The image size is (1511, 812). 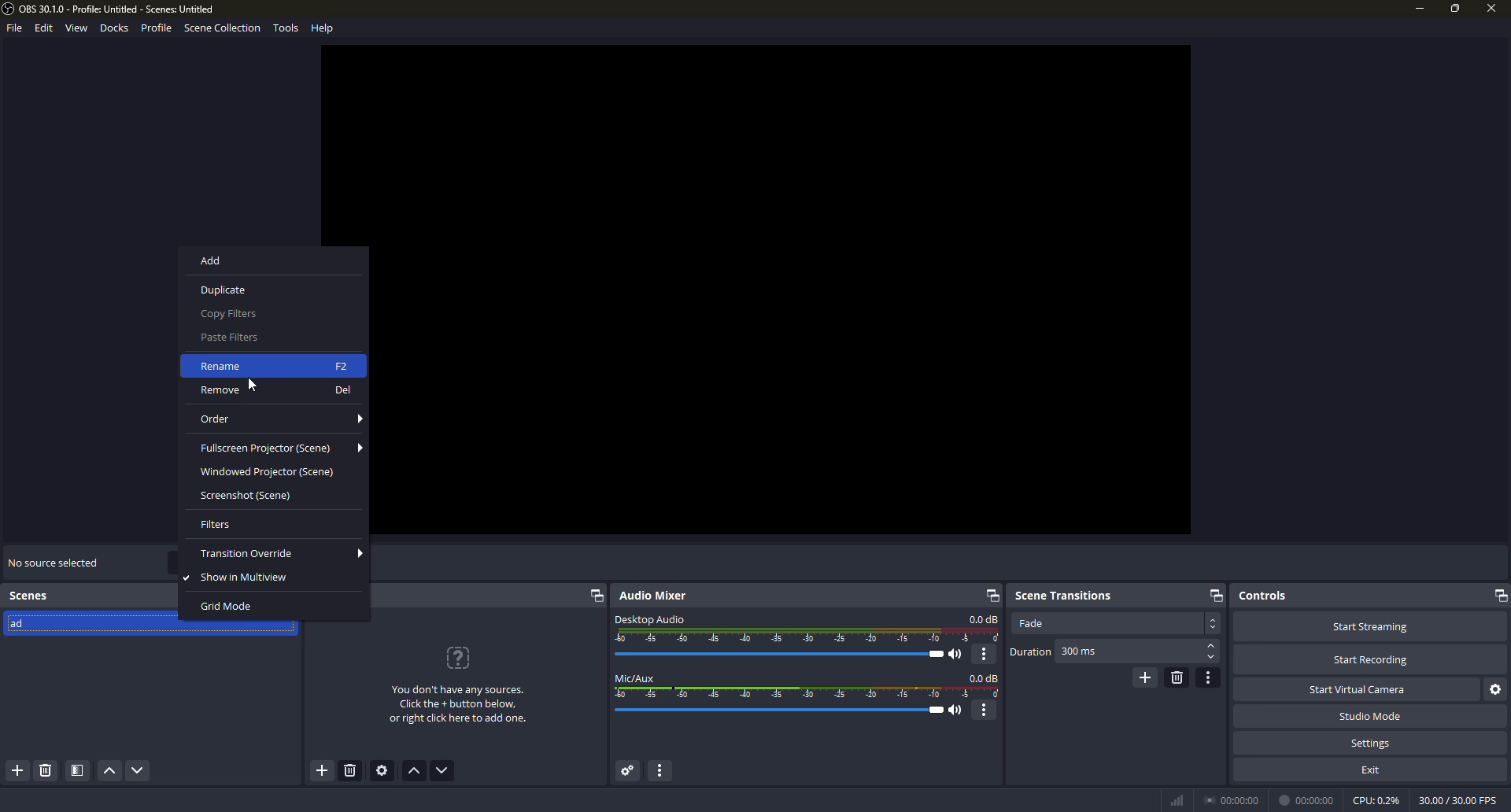 What do you see at coordinates (1080, 652) in the screenshot?
I see `300 ms` at bounding box center [1080, 652].